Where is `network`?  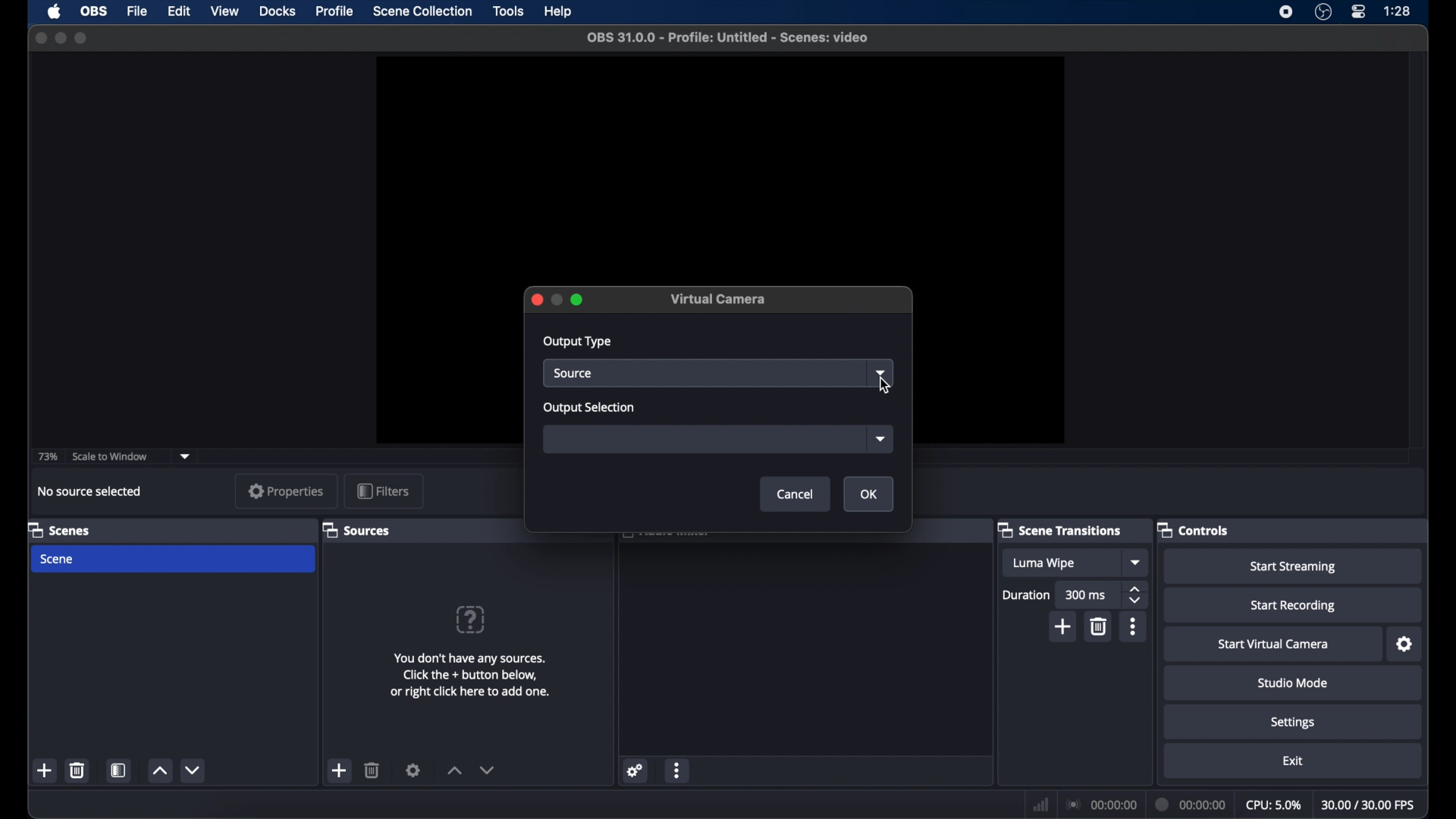 network is located at coordinates (1041, 804).